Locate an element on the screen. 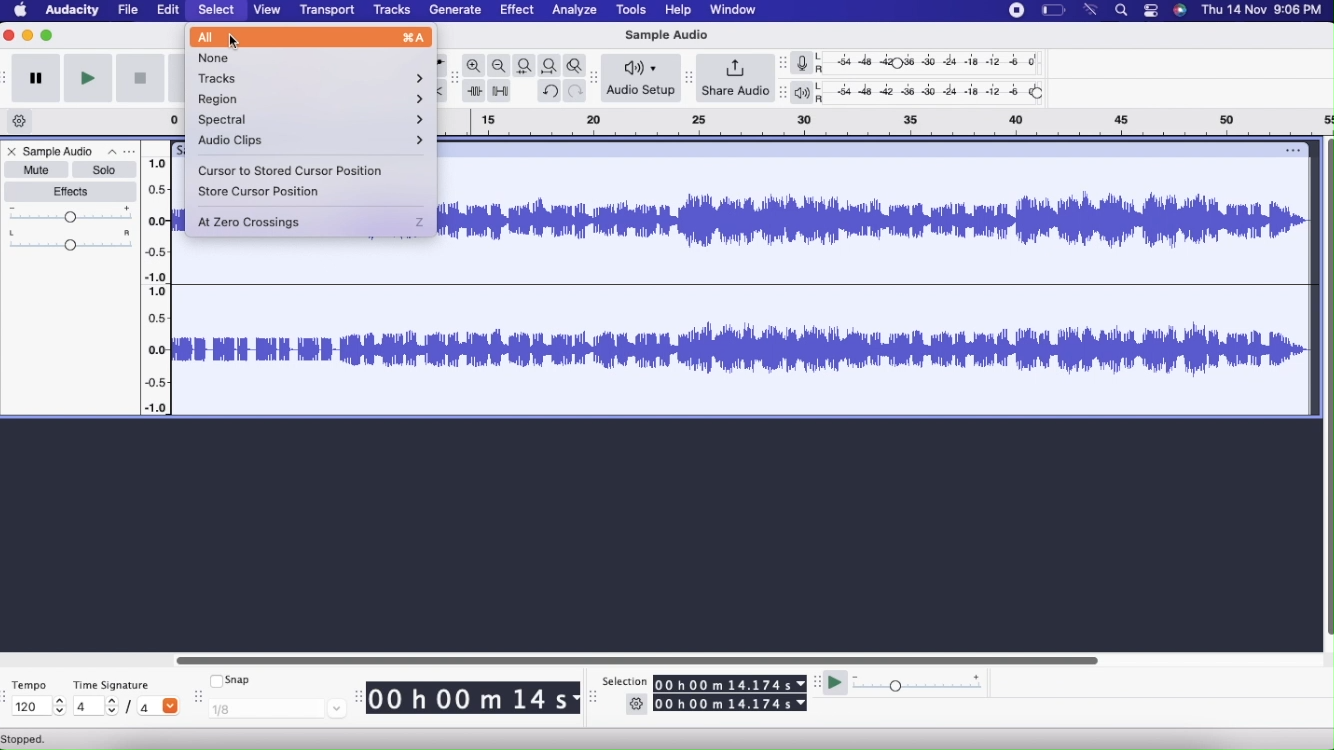  Tools is located at coordinates (632, 11).